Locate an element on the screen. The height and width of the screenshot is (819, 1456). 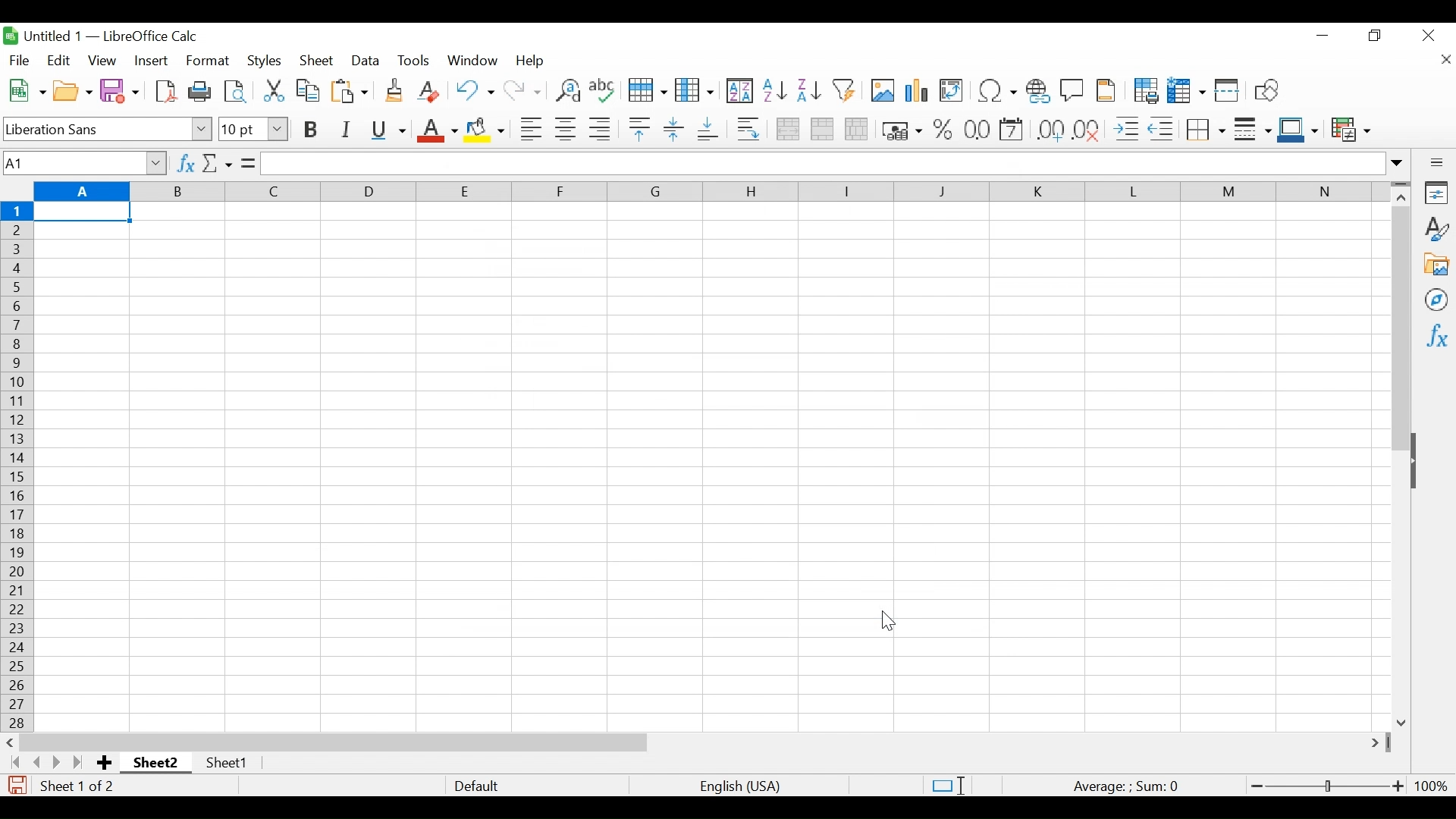
Font Size is located at coordinates (253, 130).